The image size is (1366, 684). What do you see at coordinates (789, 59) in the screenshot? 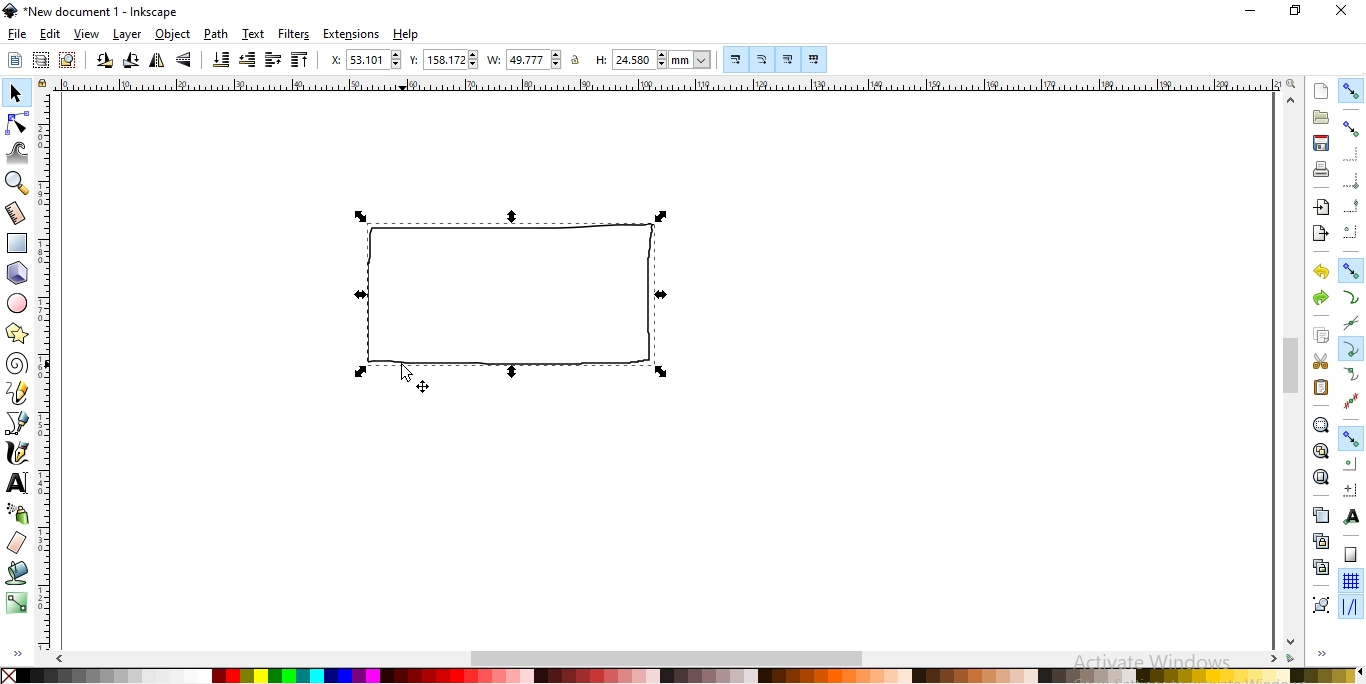
I see `` at bounding box center [789, 59].